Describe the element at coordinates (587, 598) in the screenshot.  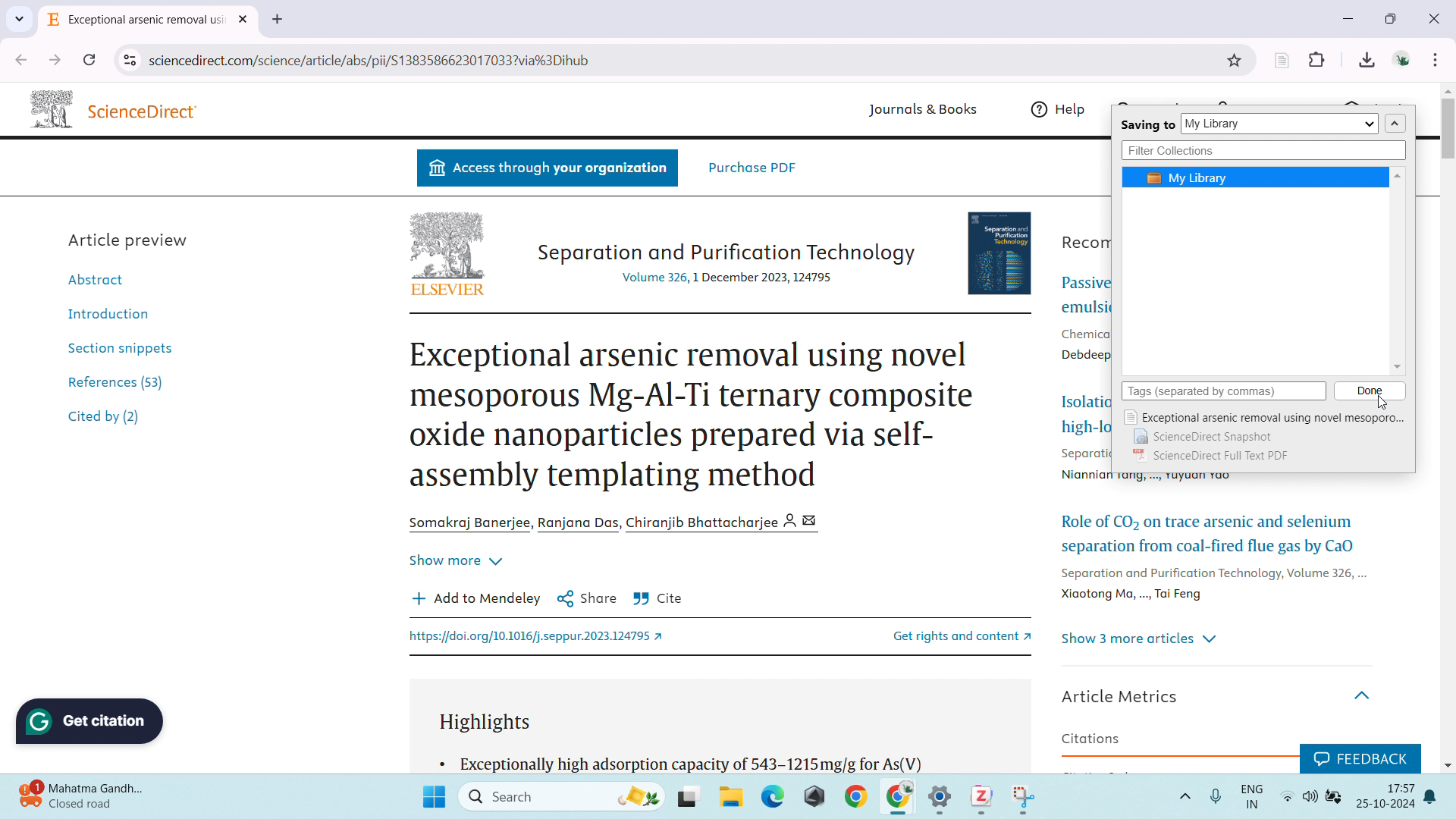
I see `Share` at that location.